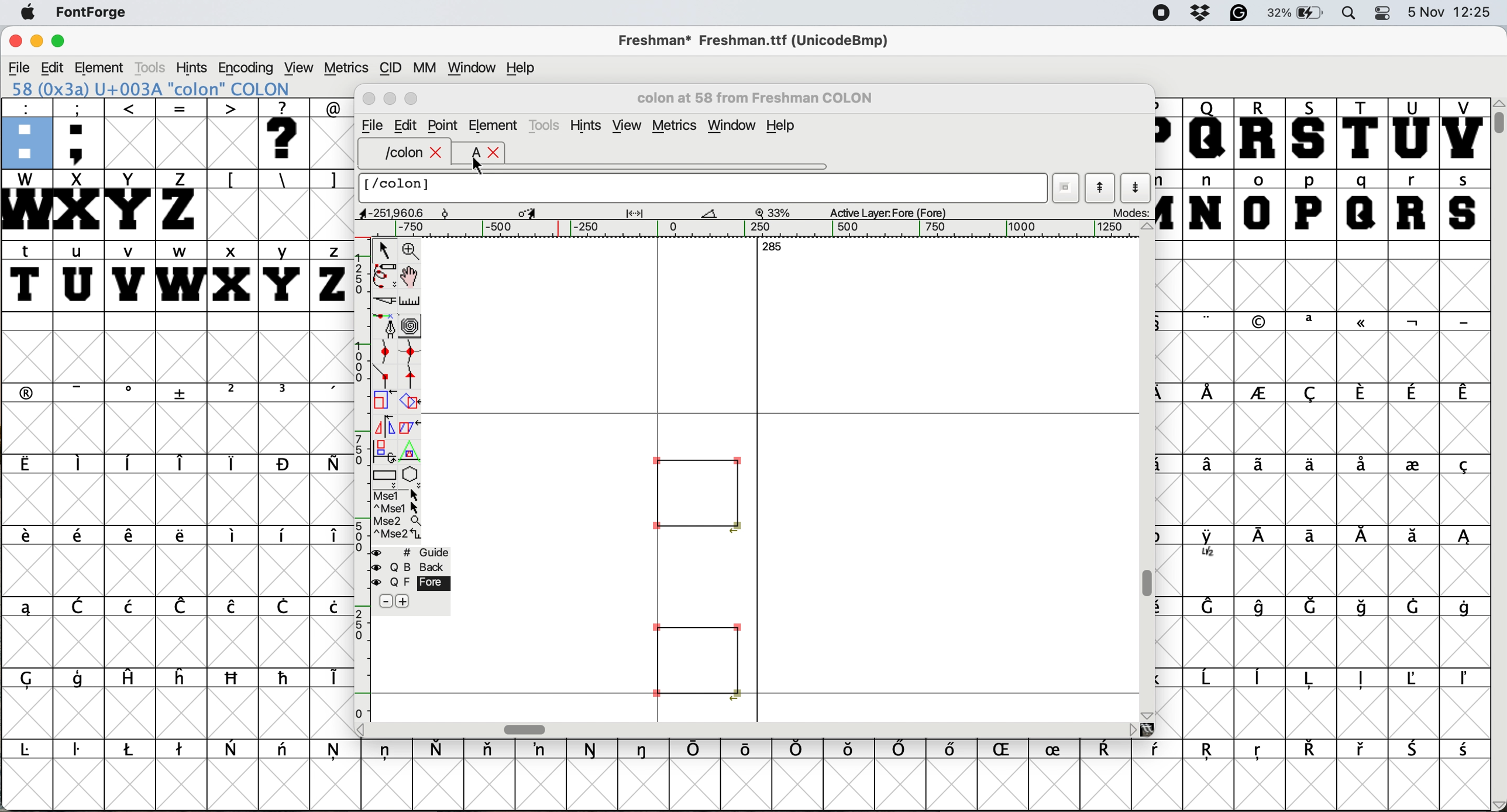 The height and width of the screenshot is (812, 1507). Describe the element at coordinates (18, 66) in the screenshot. I see `file` at that location.